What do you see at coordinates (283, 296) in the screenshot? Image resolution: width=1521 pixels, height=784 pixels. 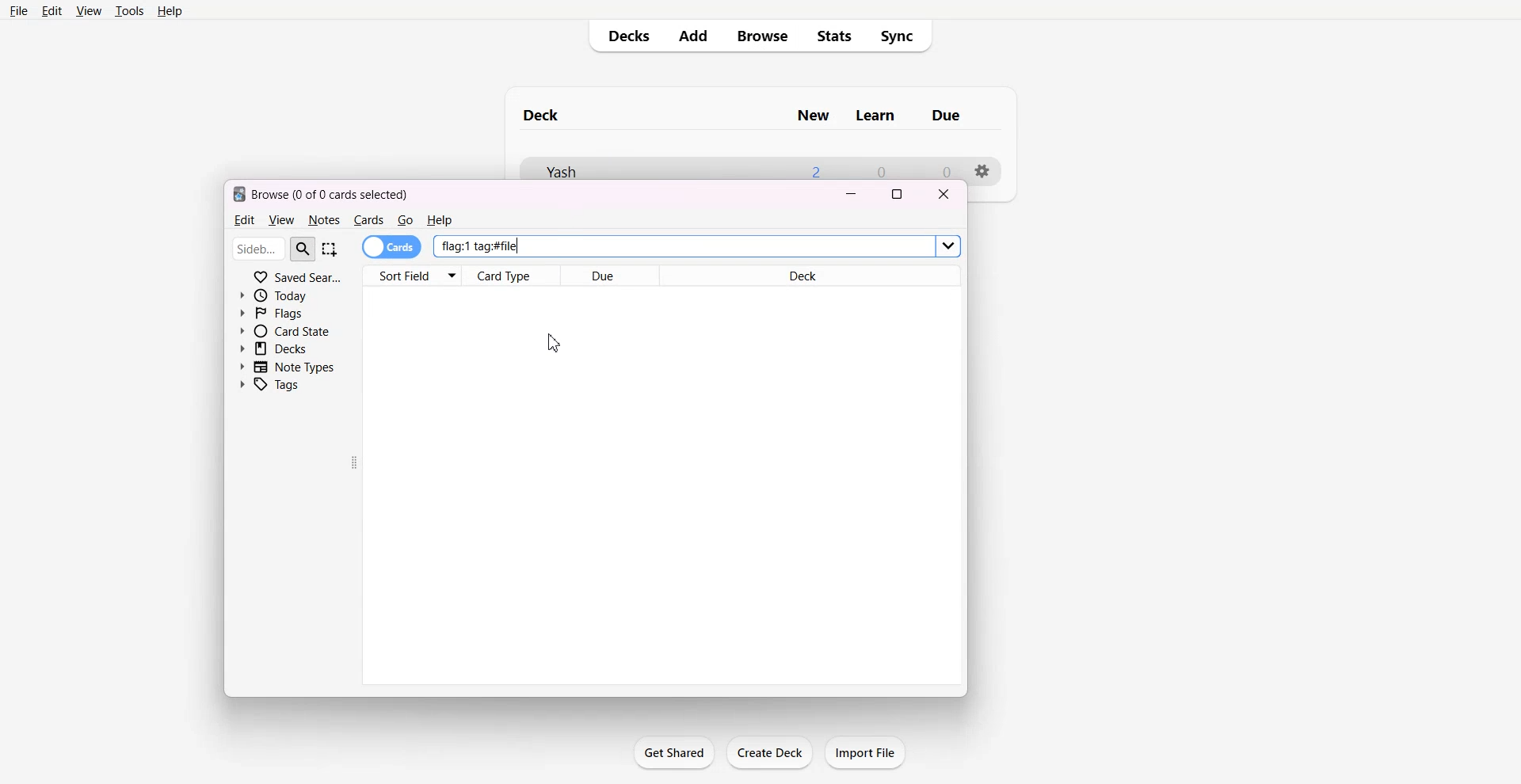 I see `Today` at bounding box center [283, 296].